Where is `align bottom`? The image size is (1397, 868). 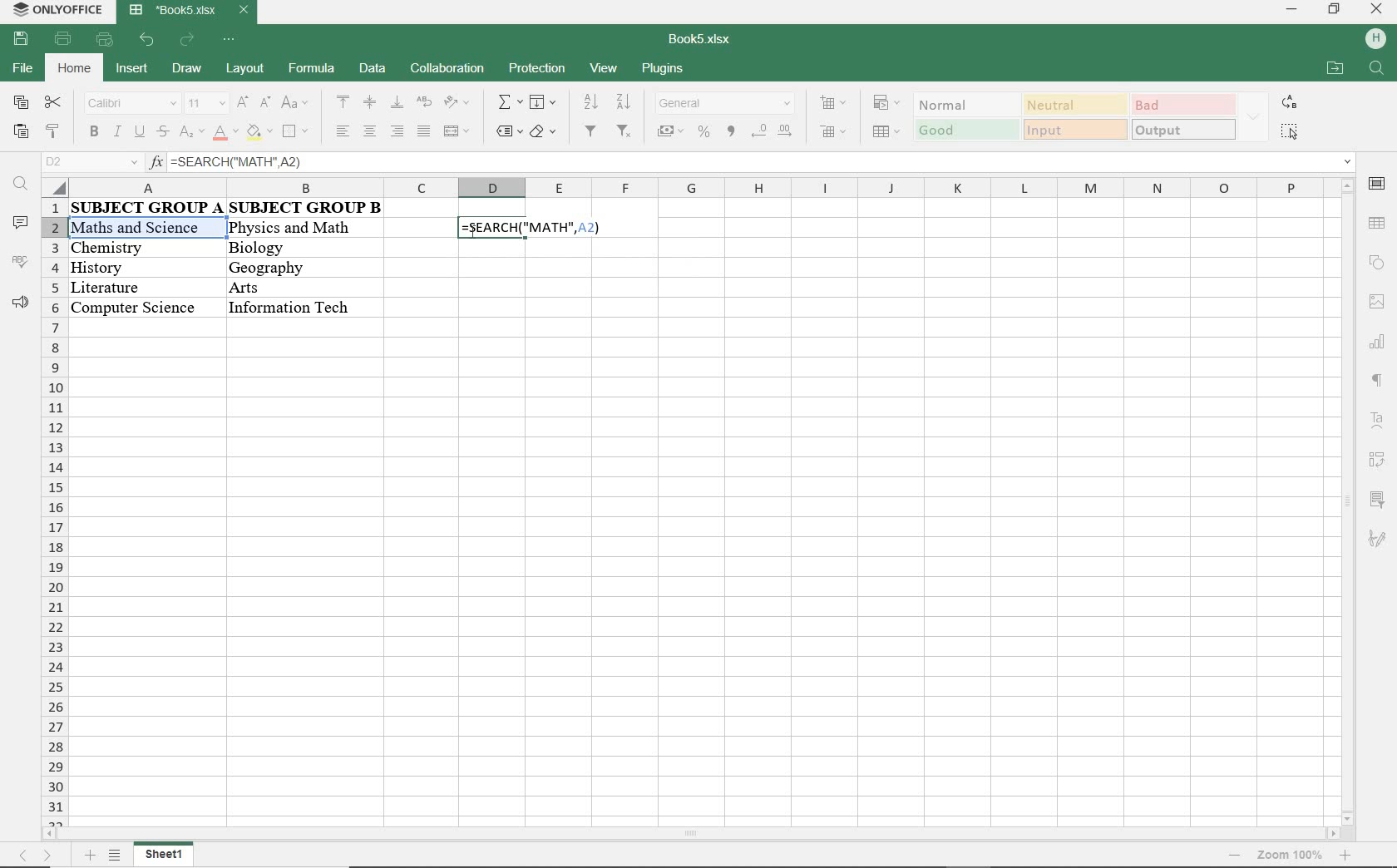 align bottom is located at coordinates (397, 104).